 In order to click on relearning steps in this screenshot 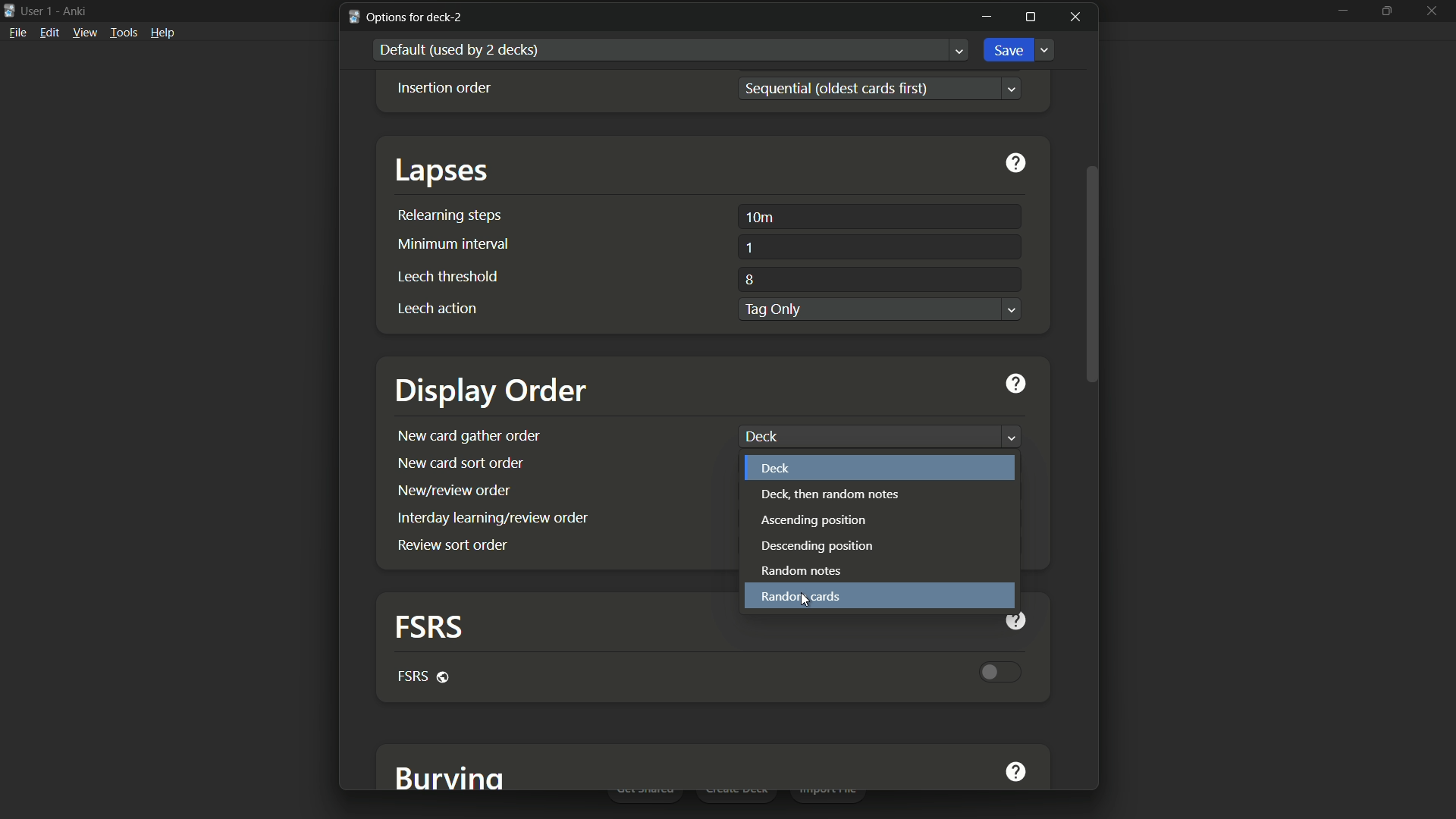, I will do `click(450, 215)`.